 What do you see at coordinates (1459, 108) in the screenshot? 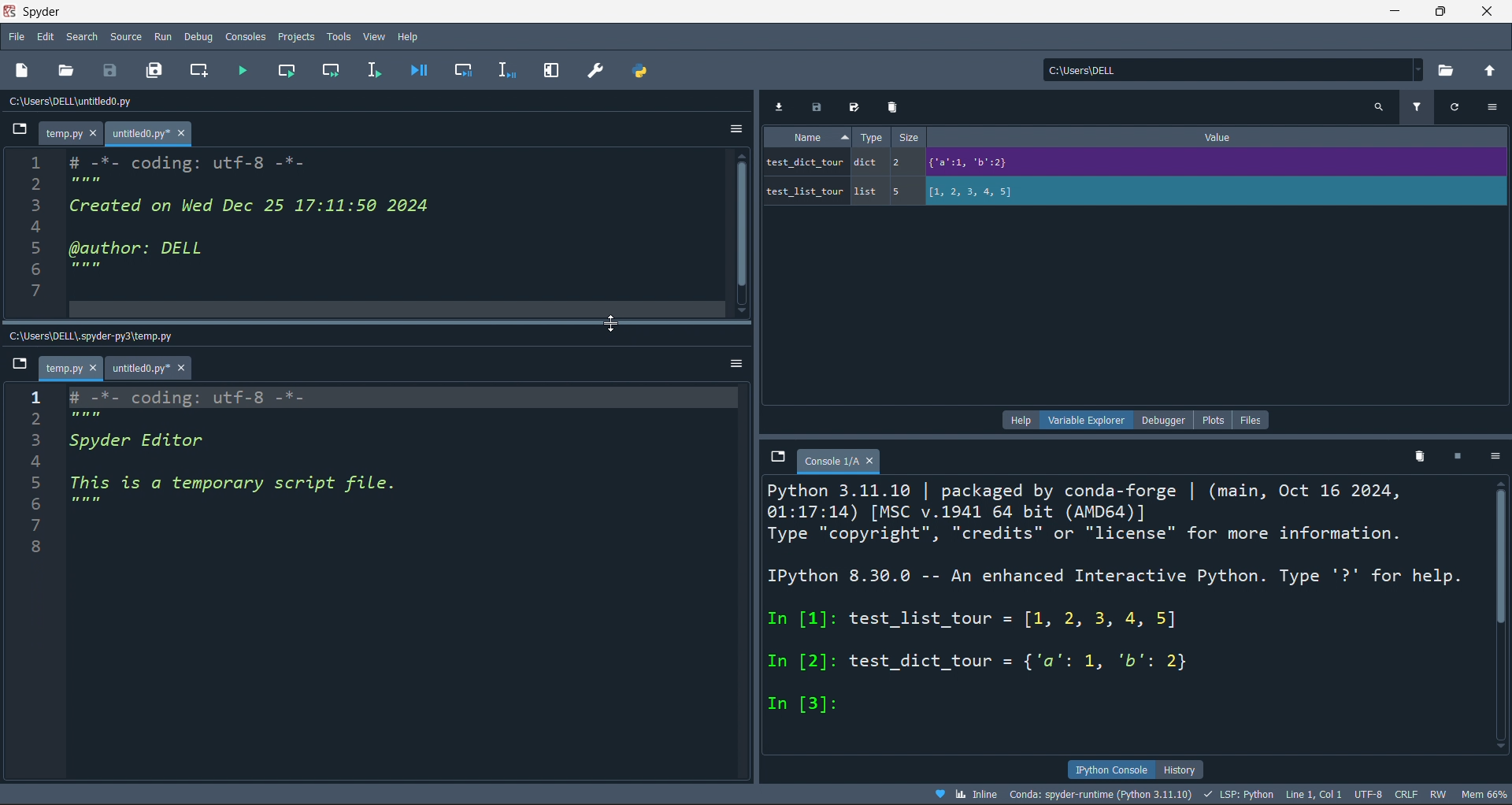
I see `refresh` at bounding box center [1459, 108].